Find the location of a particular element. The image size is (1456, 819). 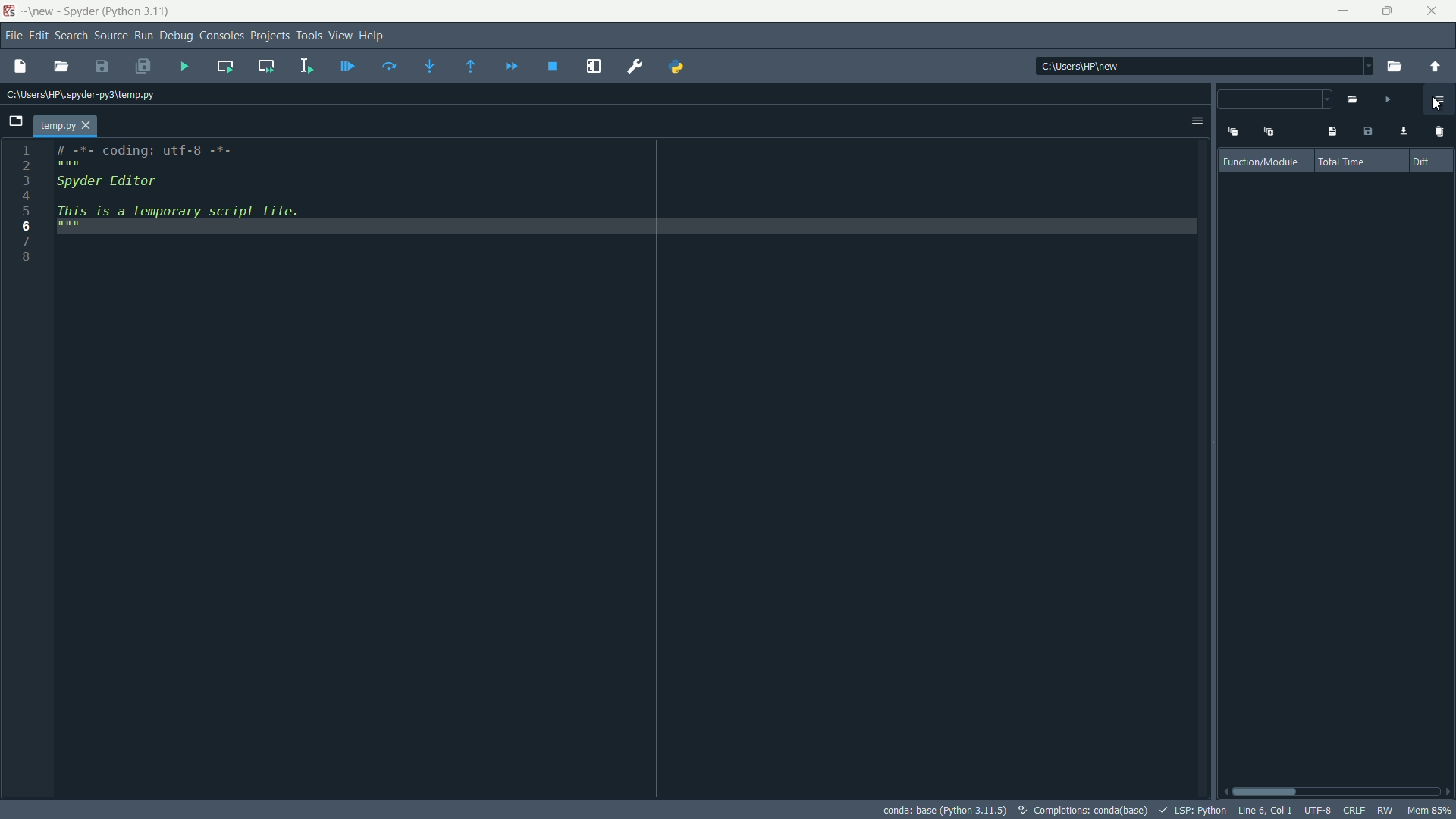

file directory: c:\users\hp\spyder-py3\temp is located at coordinates (81, 96).